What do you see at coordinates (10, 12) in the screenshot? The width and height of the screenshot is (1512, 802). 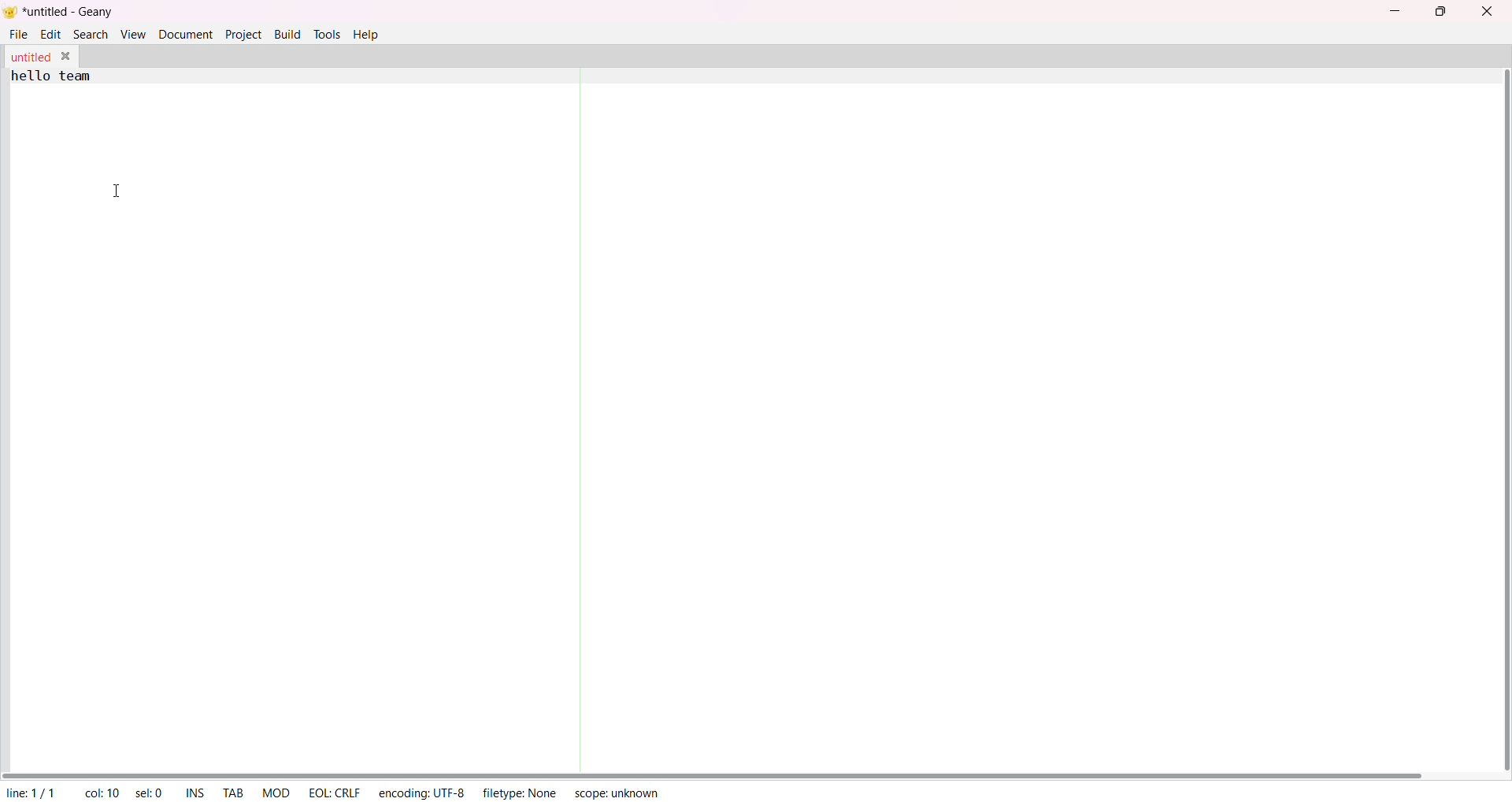 I see `logo` at bounding box center [10, 12].